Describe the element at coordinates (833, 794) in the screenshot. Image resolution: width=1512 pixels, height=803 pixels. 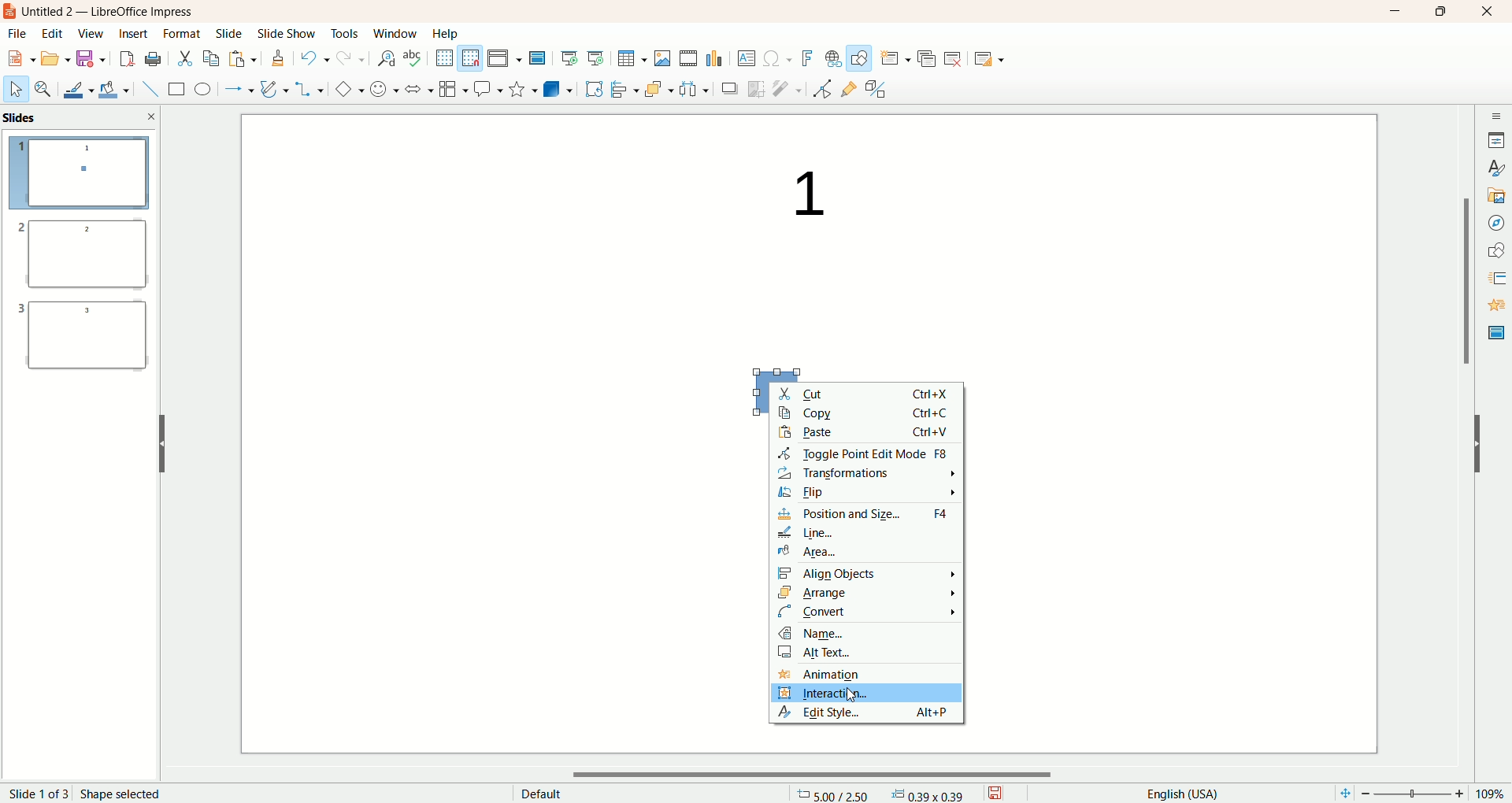
I see `coordinates` at that location.